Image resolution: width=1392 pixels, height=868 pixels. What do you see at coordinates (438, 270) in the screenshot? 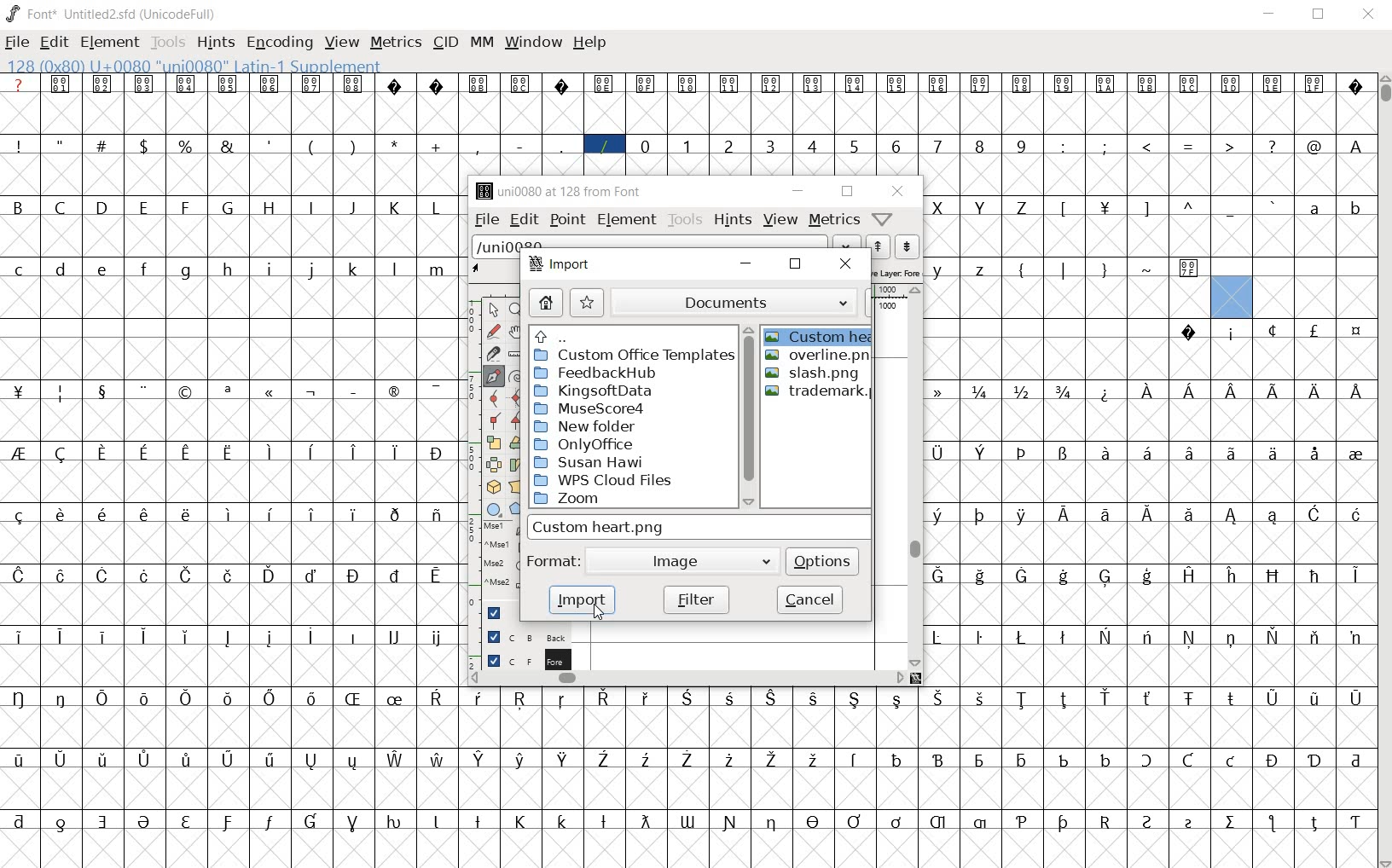
I see `glyph` at bounding box center [438, 270].